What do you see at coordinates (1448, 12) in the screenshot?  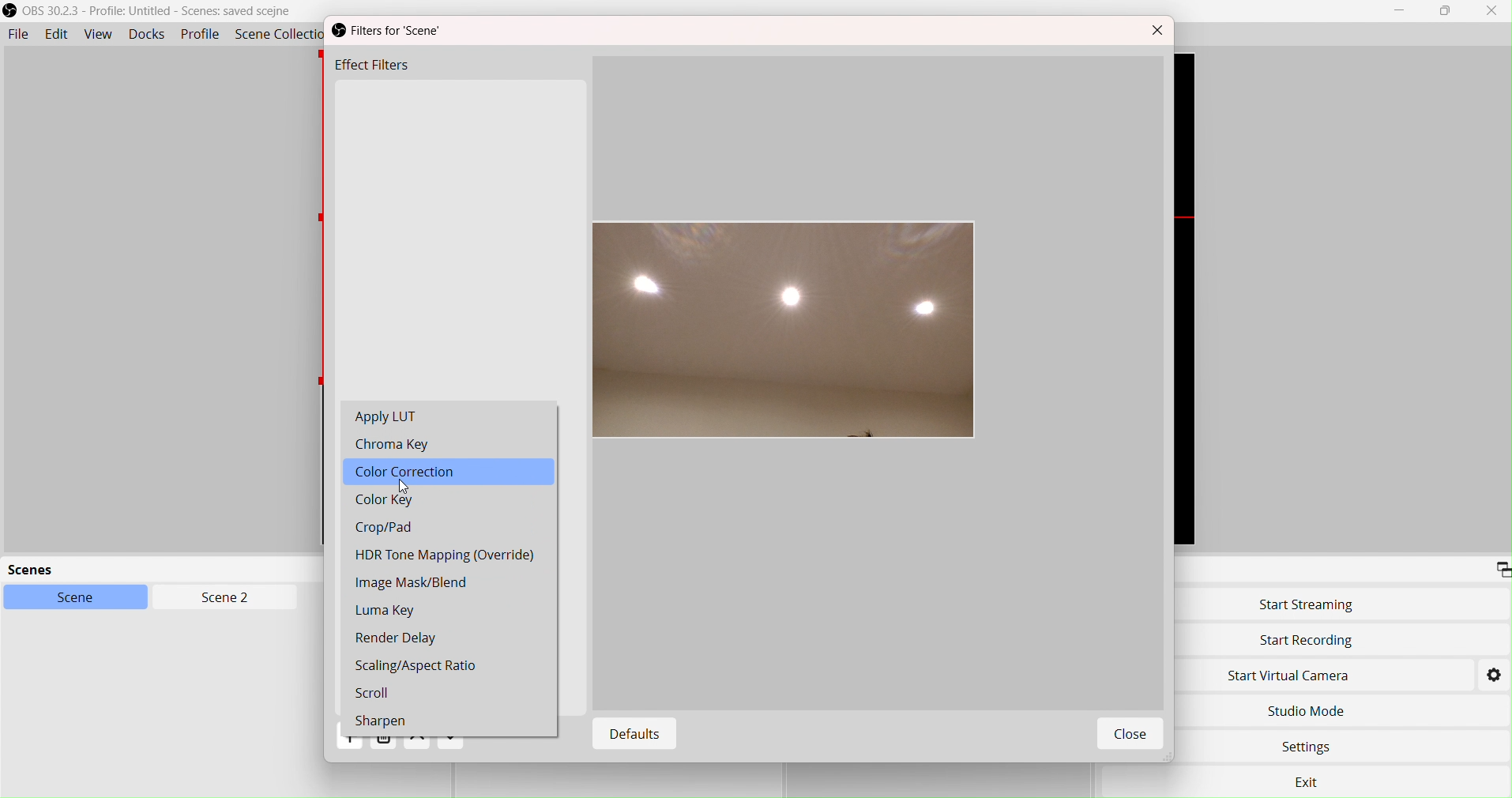 I see `box` at bounding box center [1448, 12].